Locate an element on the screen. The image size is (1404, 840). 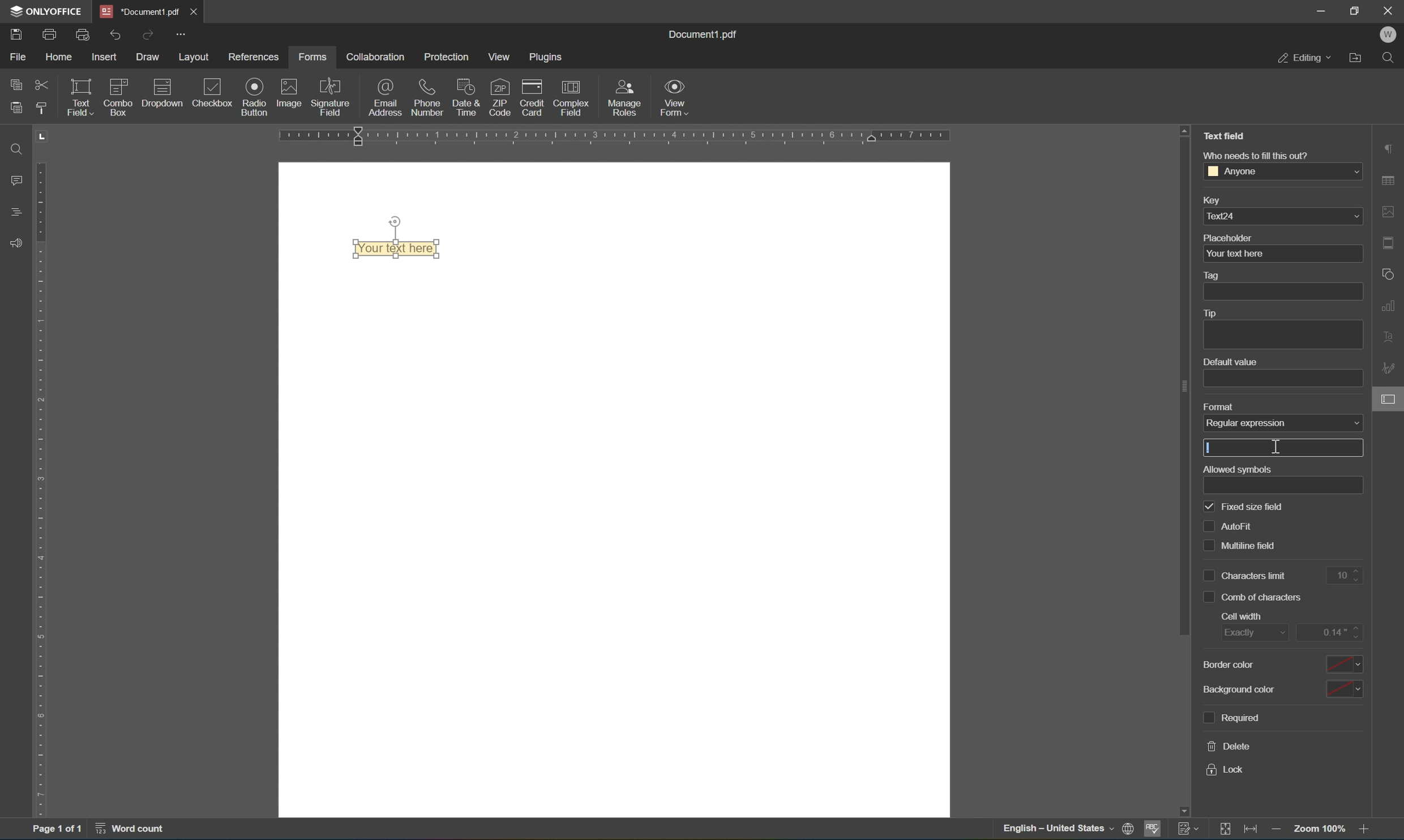
restore down is located at coordinates (1356, 10).